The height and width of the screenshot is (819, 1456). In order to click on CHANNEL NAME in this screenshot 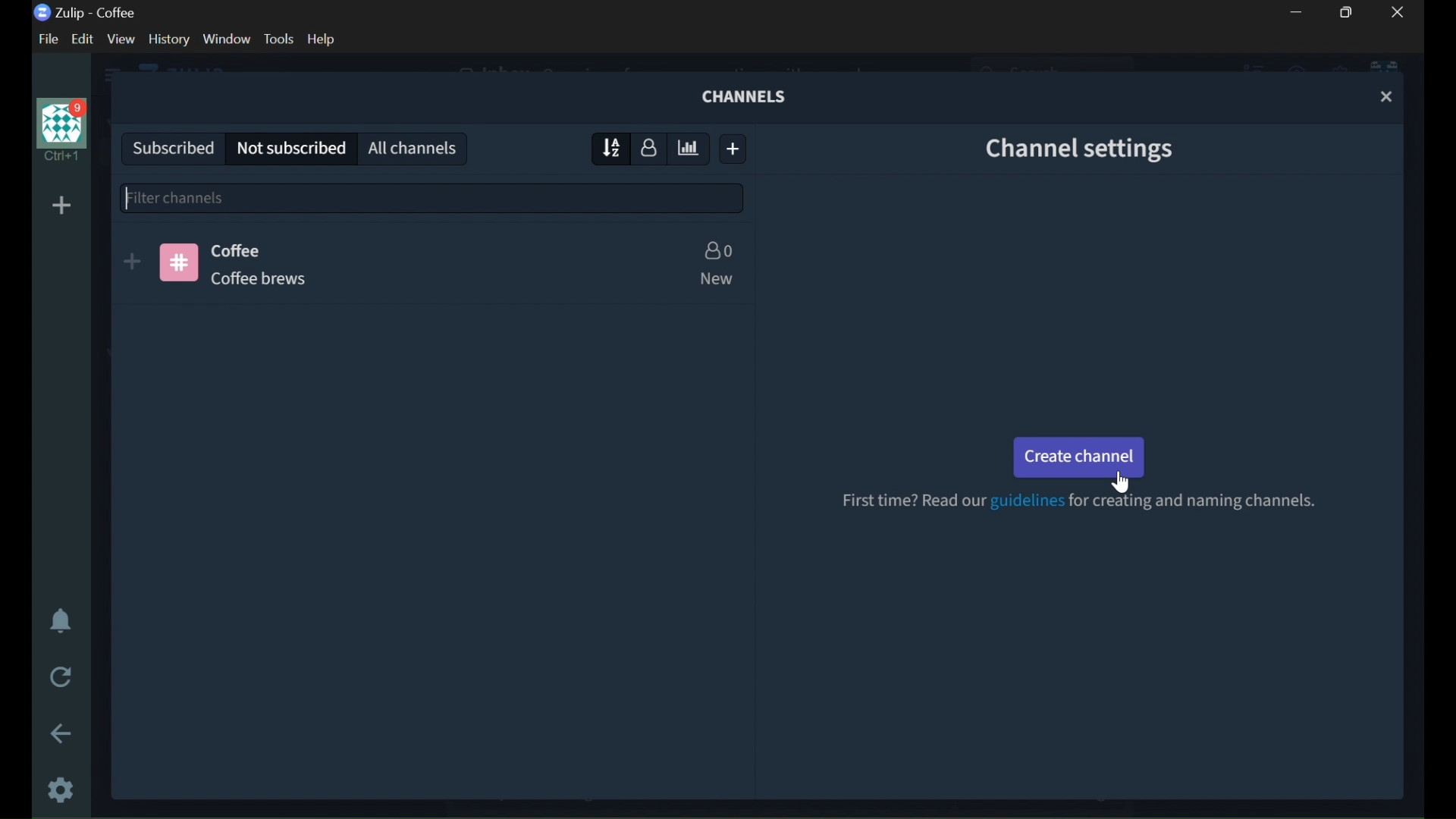, I will do `click(240, 249)`.